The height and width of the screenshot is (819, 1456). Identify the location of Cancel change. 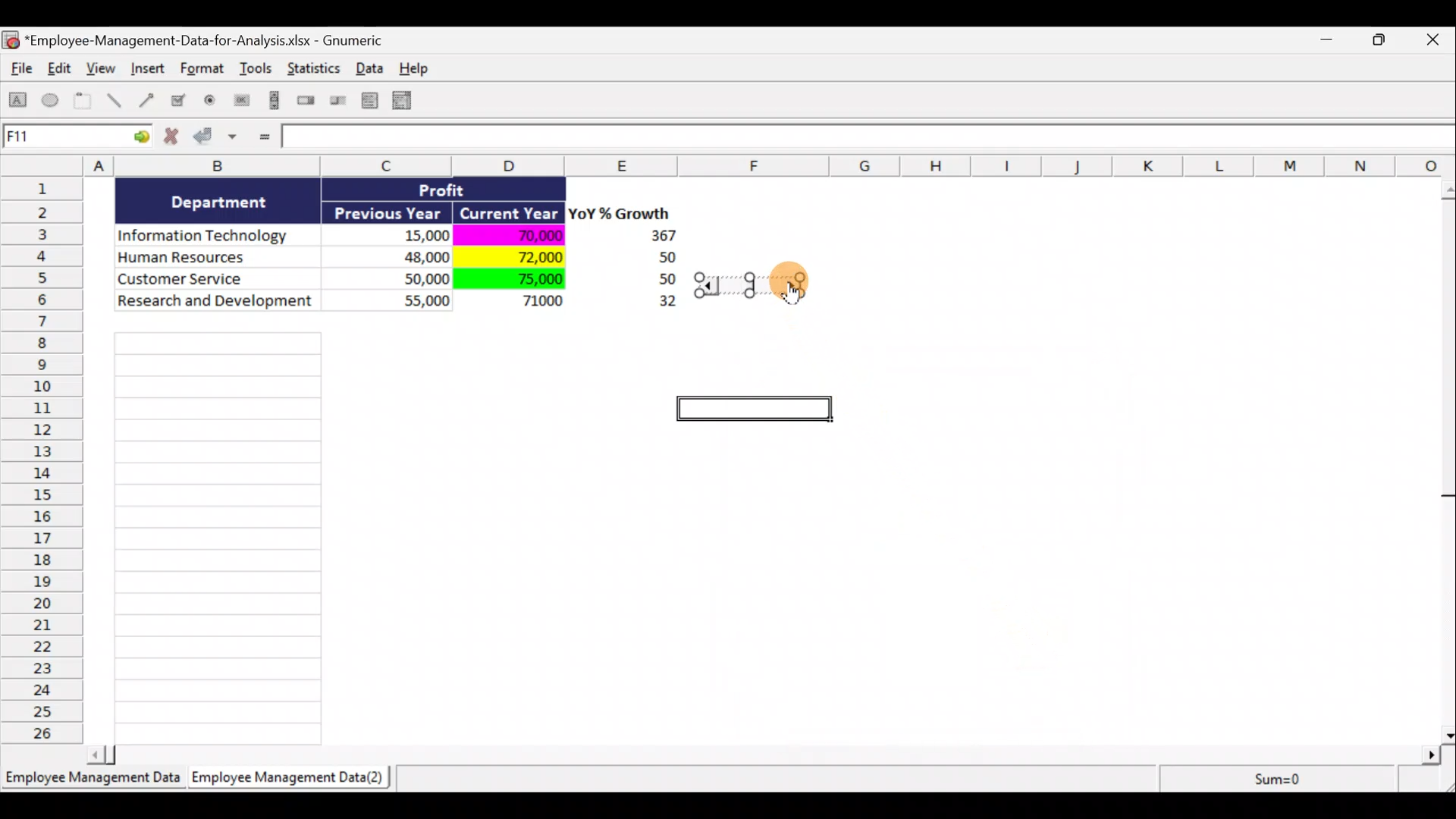
(176, 140).